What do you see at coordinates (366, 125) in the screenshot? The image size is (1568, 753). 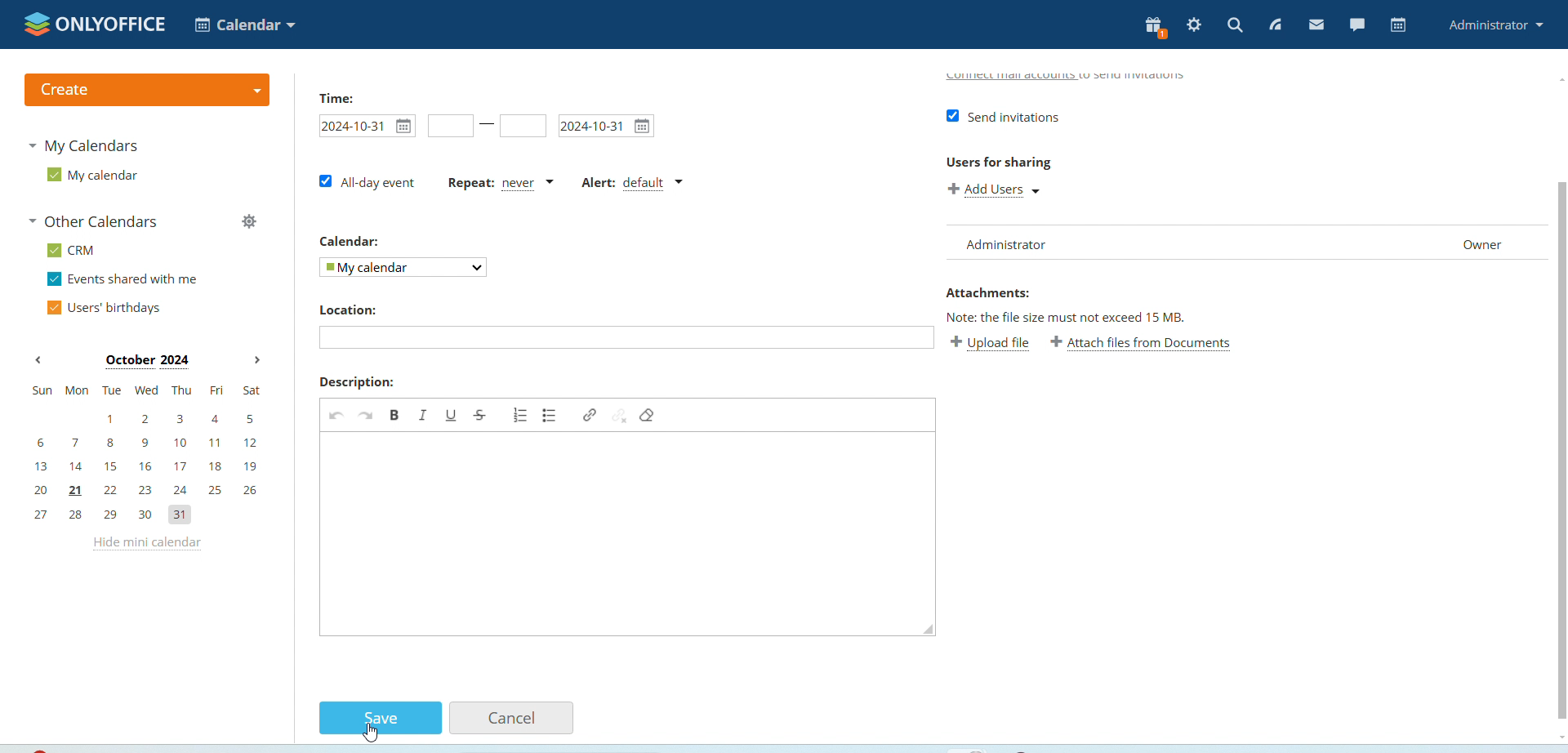 I see `2024-10-31` at bounding box center [366, 125].